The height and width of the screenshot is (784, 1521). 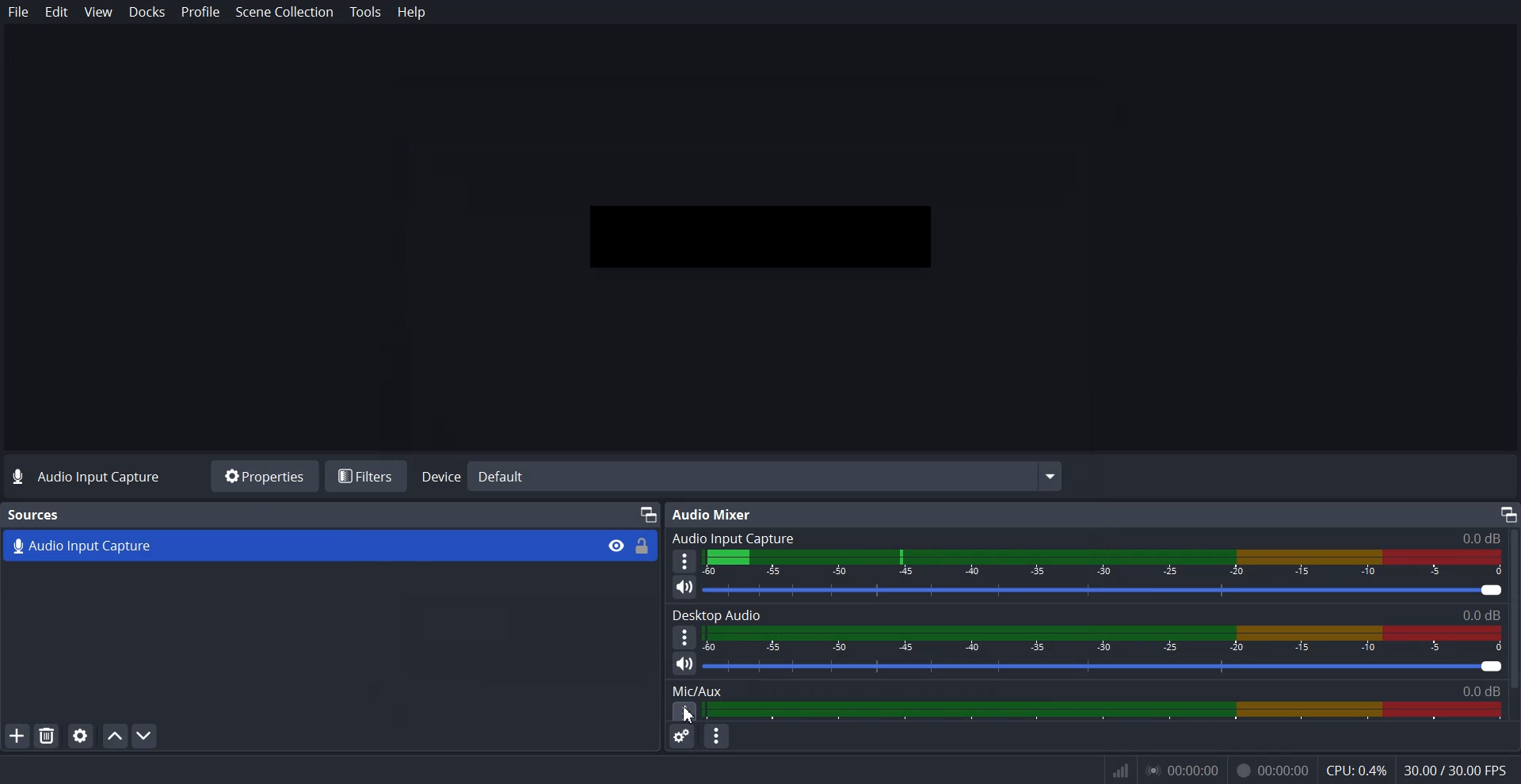 What do you see at coordinates (1087, 536) in the screenshot?
I see `Audio Input capture` at bounding box center [1087, 536].